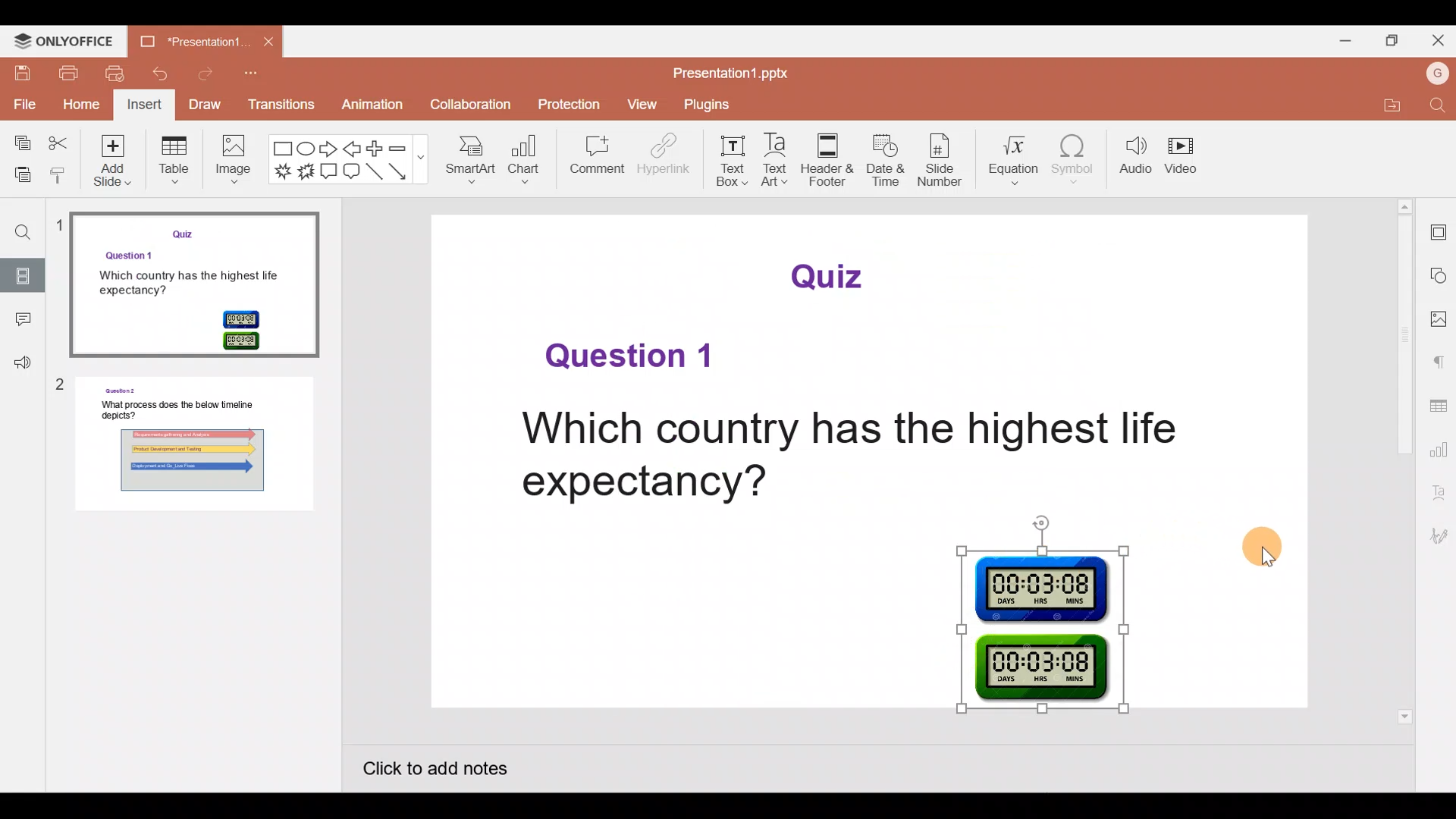 The image size is (1456, 819). What do you see at coordinates (887, 163) in the screenshot?
I see `Date & time` at bounding box center [887, 163].